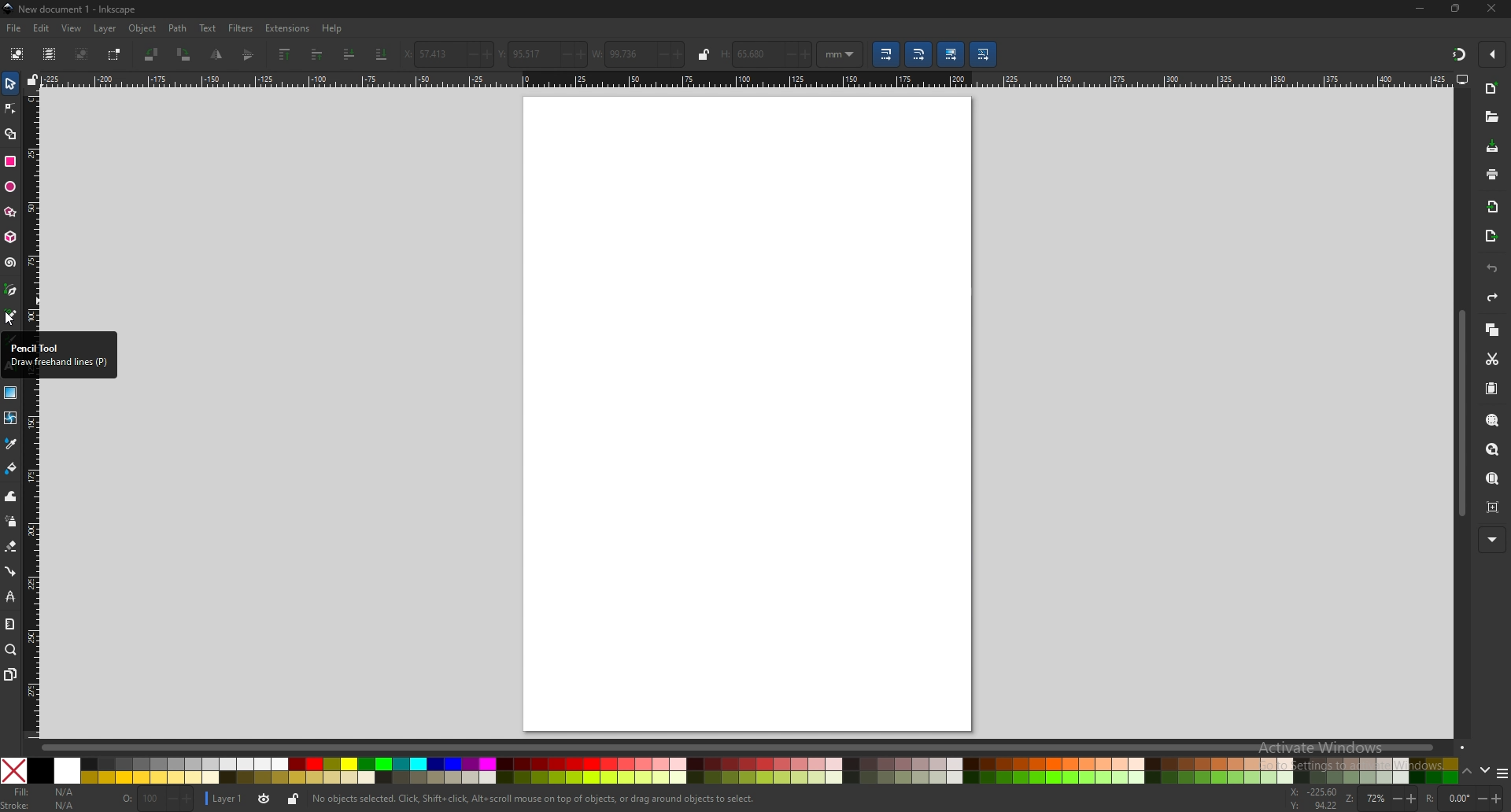 Image resolution: width=1511 pixels, height=812 pixels. Describe the element at coordinates (114, 54) in the screenshot. I see `toggle selection box` at that location.